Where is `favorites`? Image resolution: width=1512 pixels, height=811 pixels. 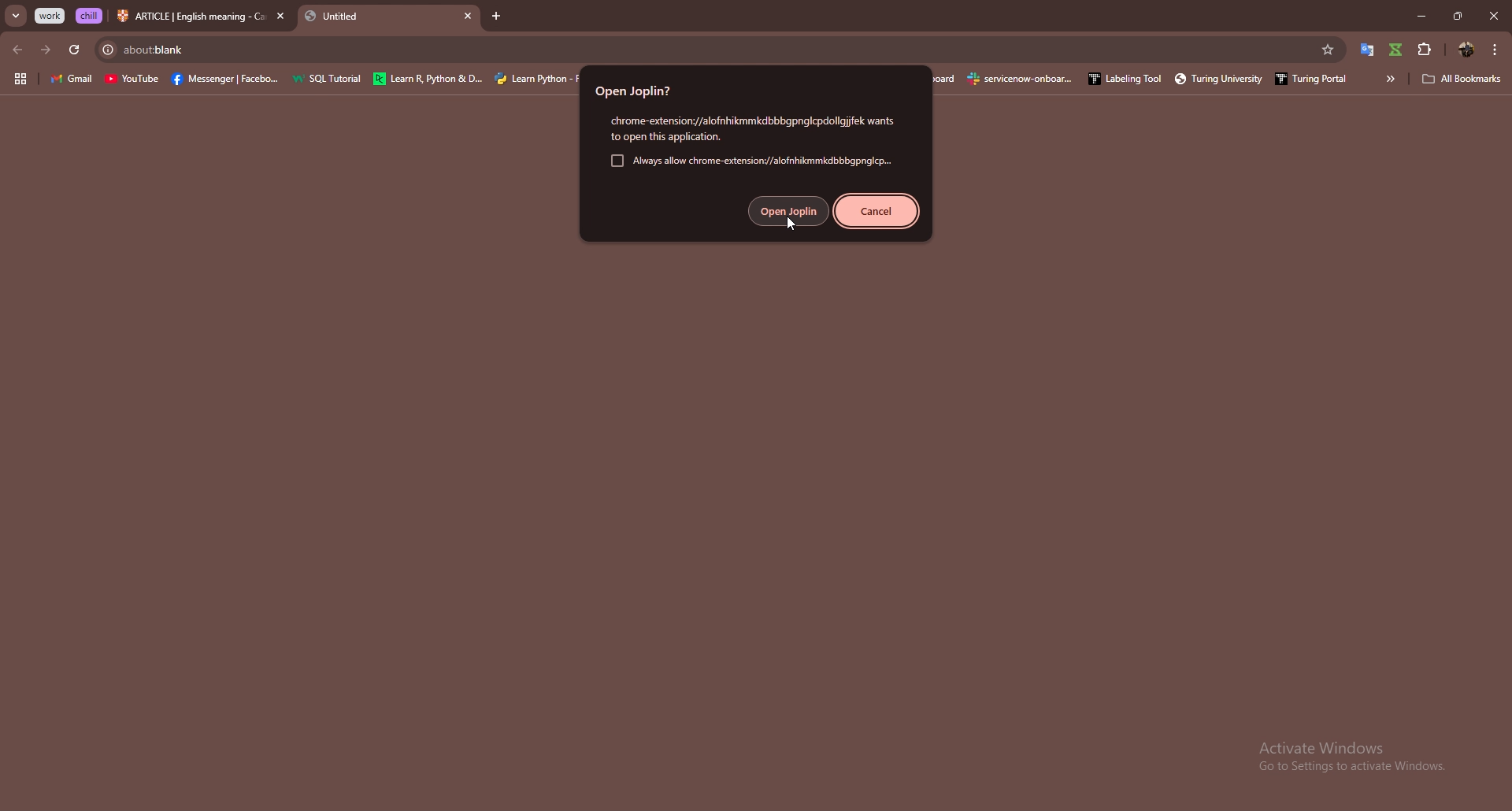
favorites is located at coordinates (1329, 50).